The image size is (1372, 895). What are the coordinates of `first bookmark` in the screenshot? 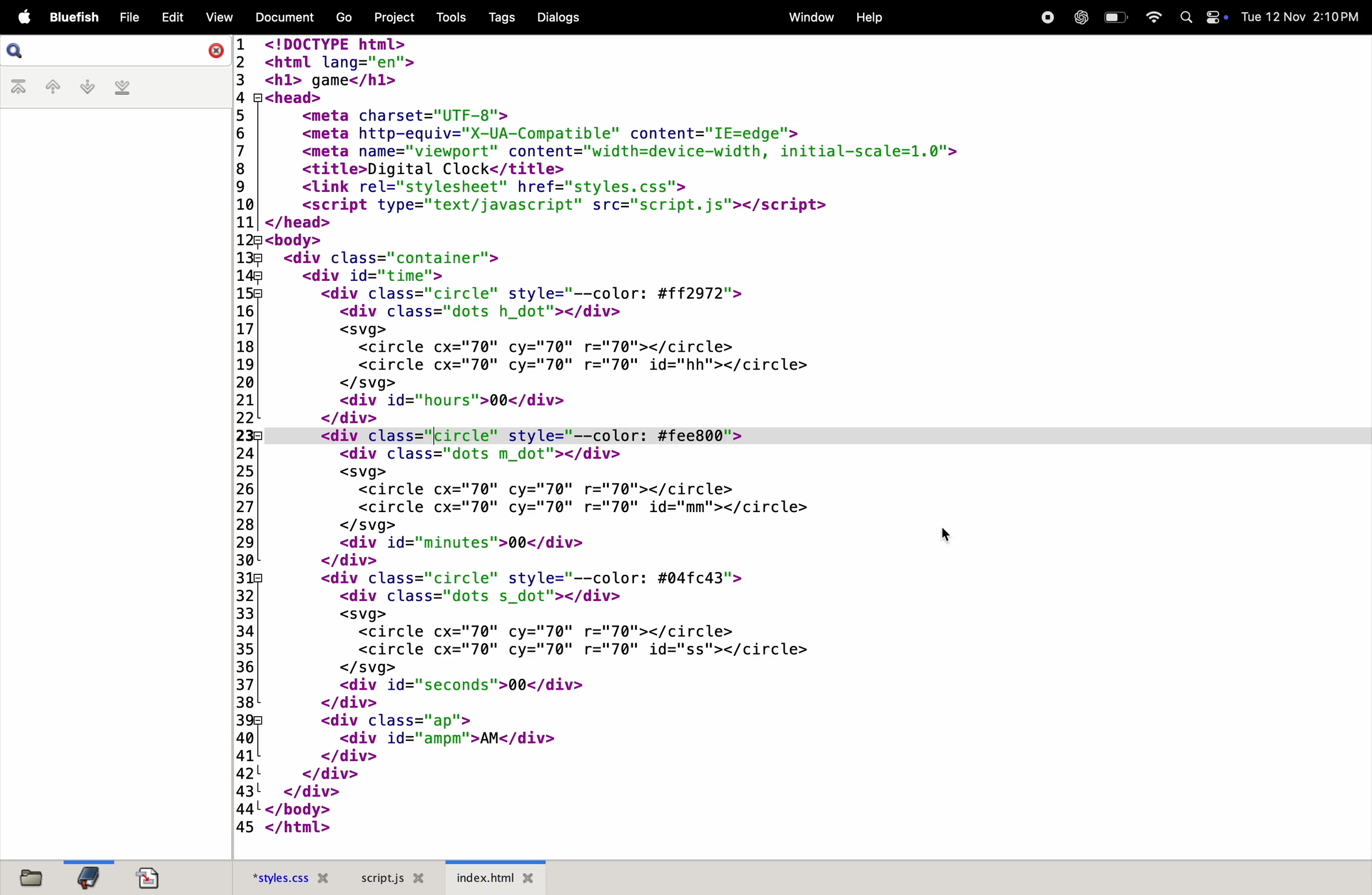 It's located at (18, 88).